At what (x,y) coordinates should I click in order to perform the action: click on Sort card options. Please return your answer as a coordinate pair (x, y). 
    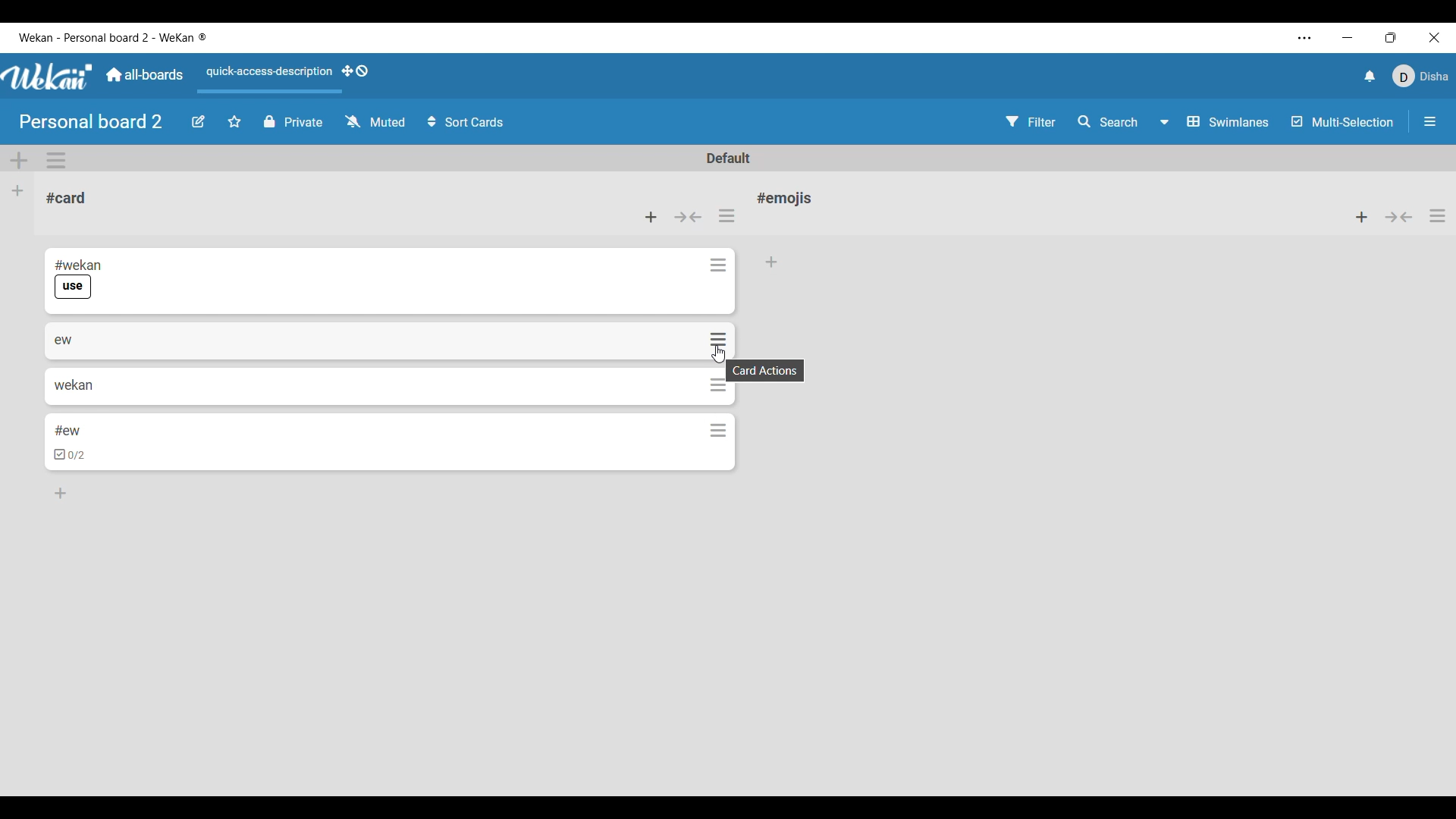
    Looking at the image, I should click on (466, 121).